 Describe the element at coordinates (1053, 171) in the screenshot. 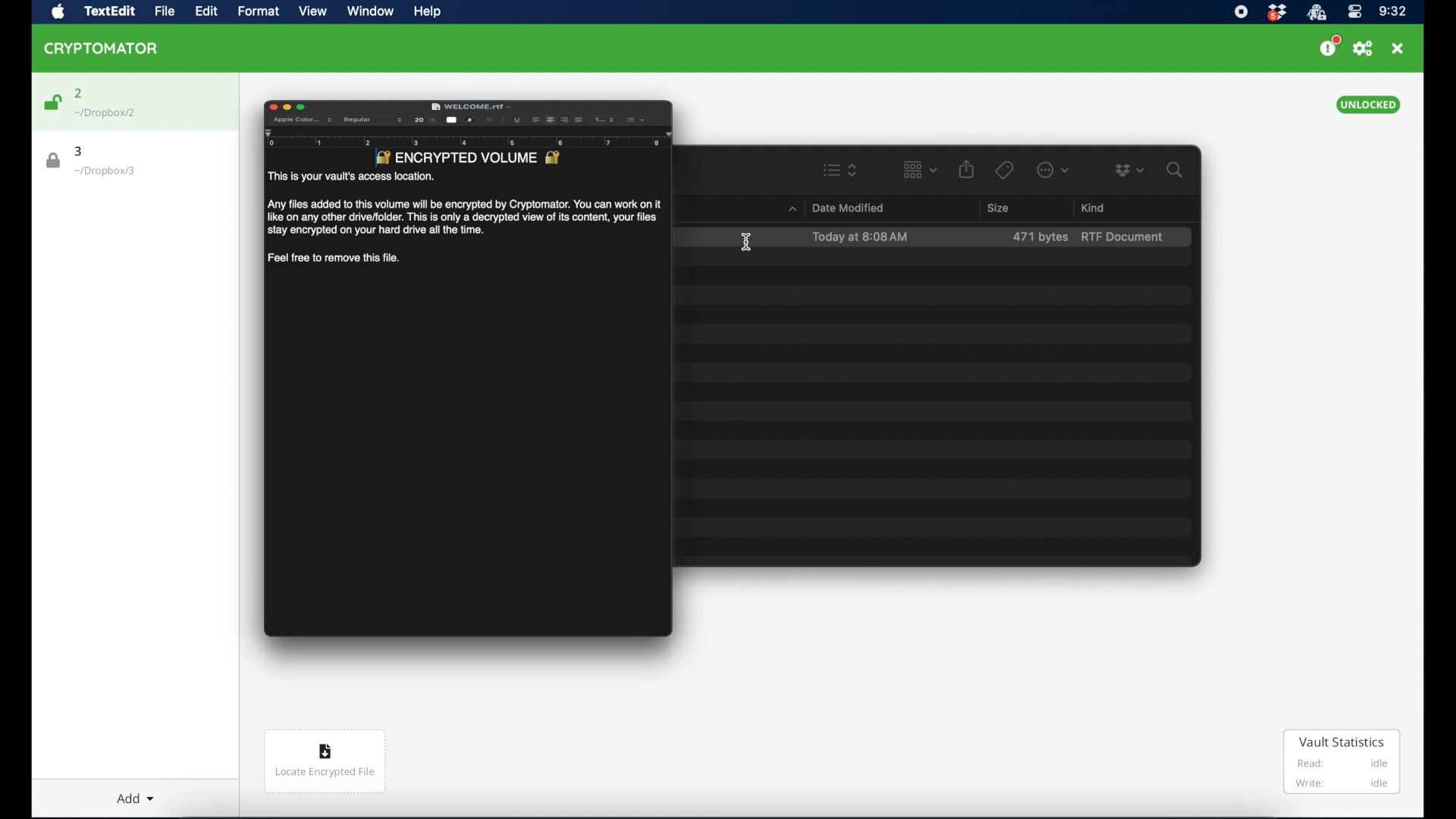

I see `more options` at that location.